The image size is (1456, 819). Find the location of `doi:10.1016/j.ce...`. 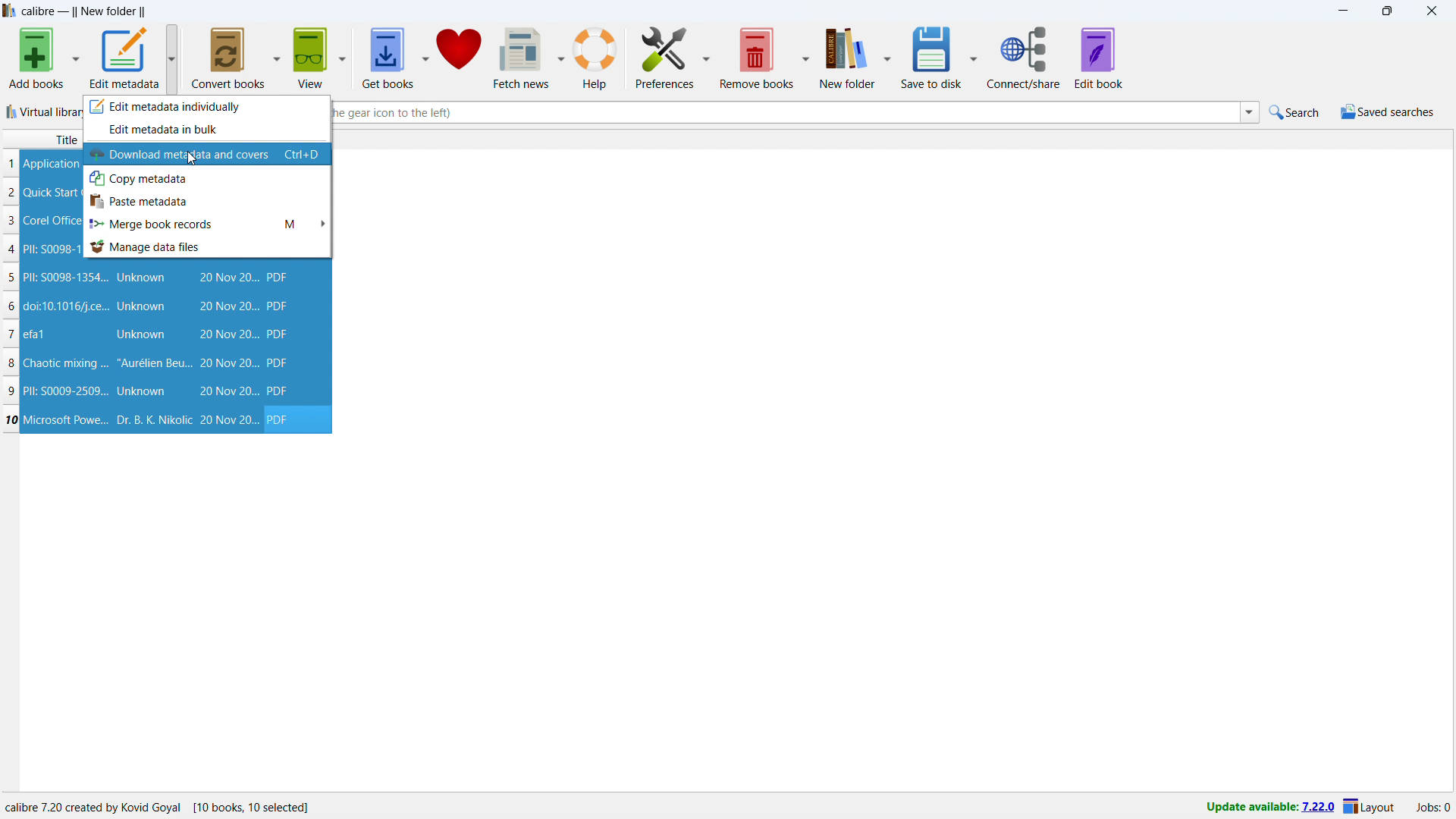

doi:10.1016/j.ce... is located at coordinates (68, 306).